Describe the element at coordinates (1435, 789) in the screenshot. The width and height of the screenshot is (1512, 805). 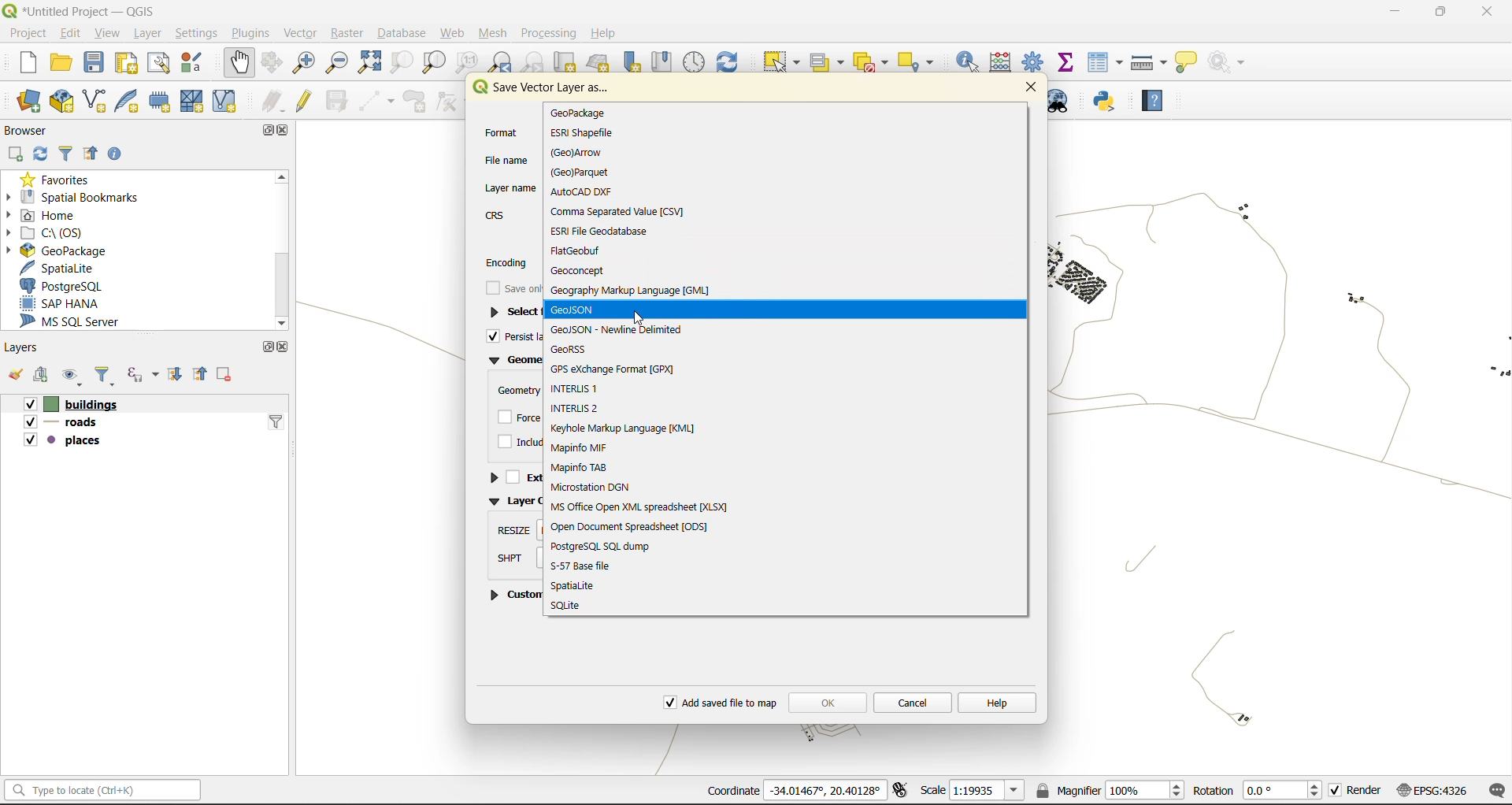
I see `crs` at that location.